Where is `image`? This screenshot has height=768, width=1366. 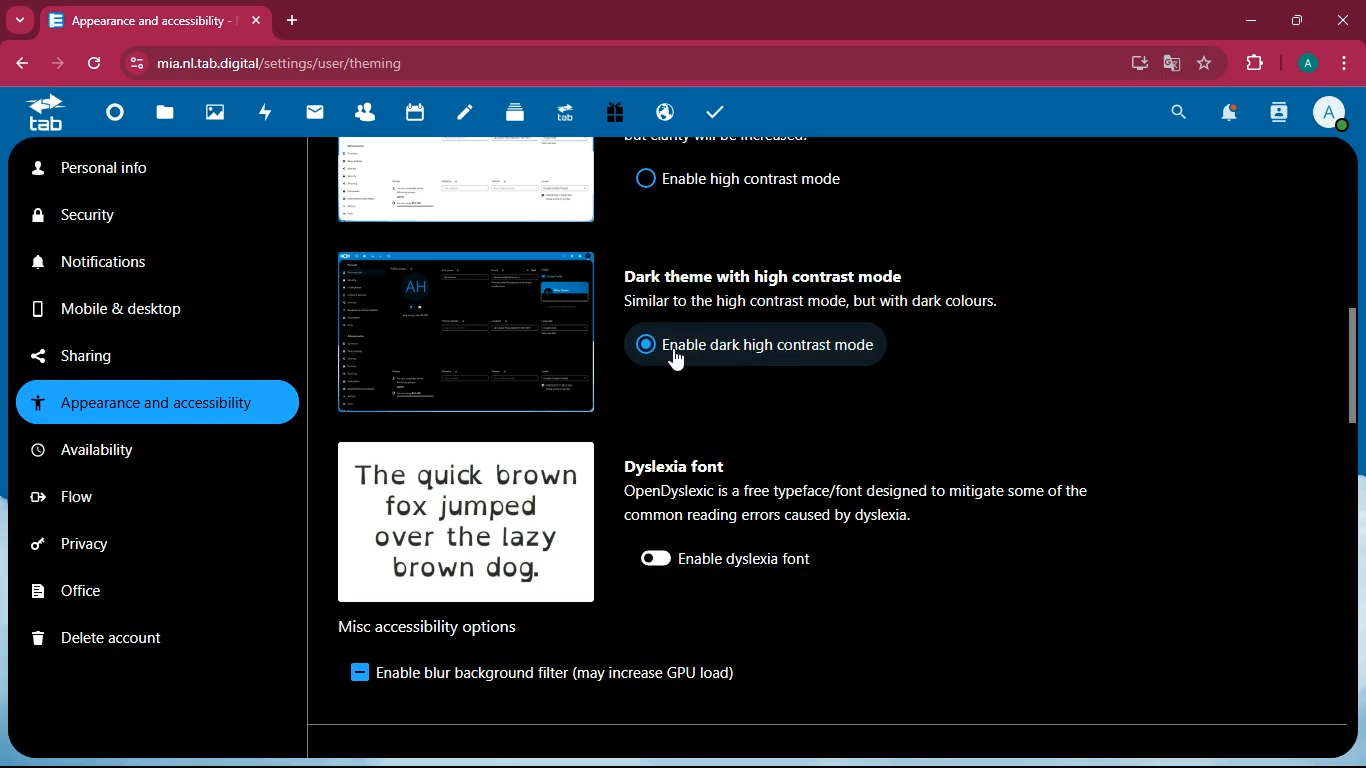
image is located at coordinates (470, 522).